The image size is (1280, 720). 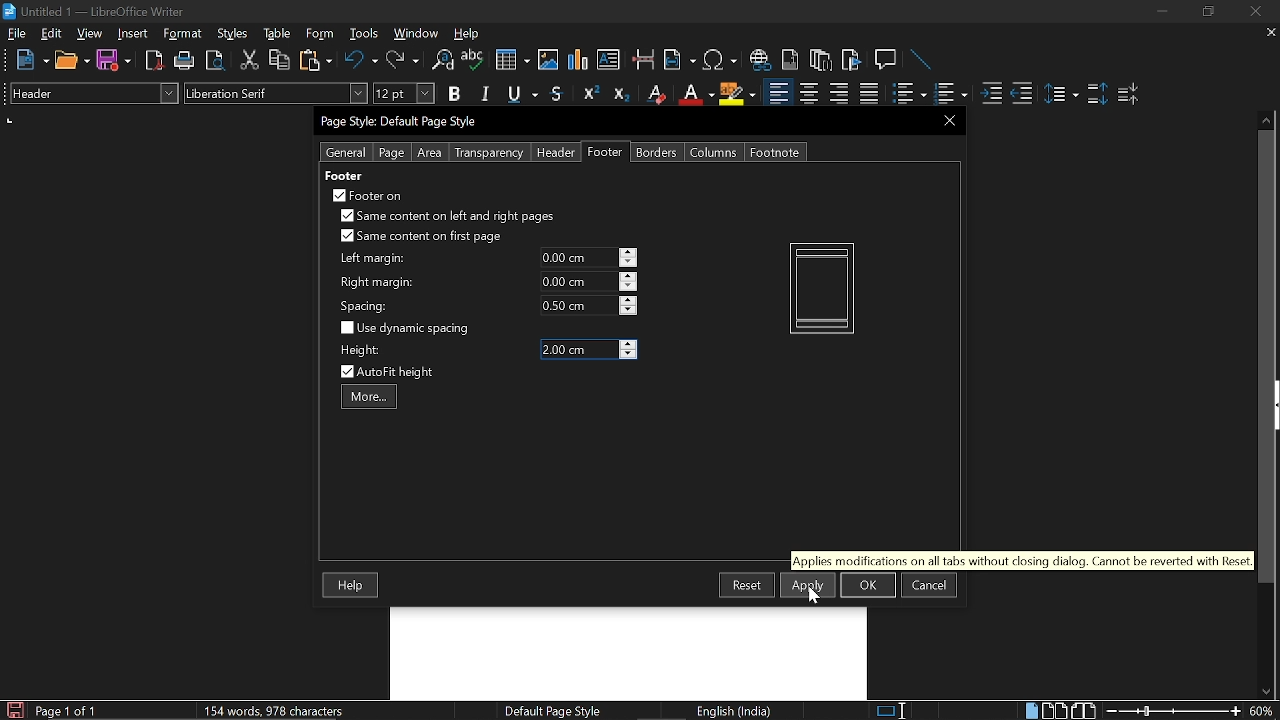 I want to click on WIndow, so click(x=417, y=33).